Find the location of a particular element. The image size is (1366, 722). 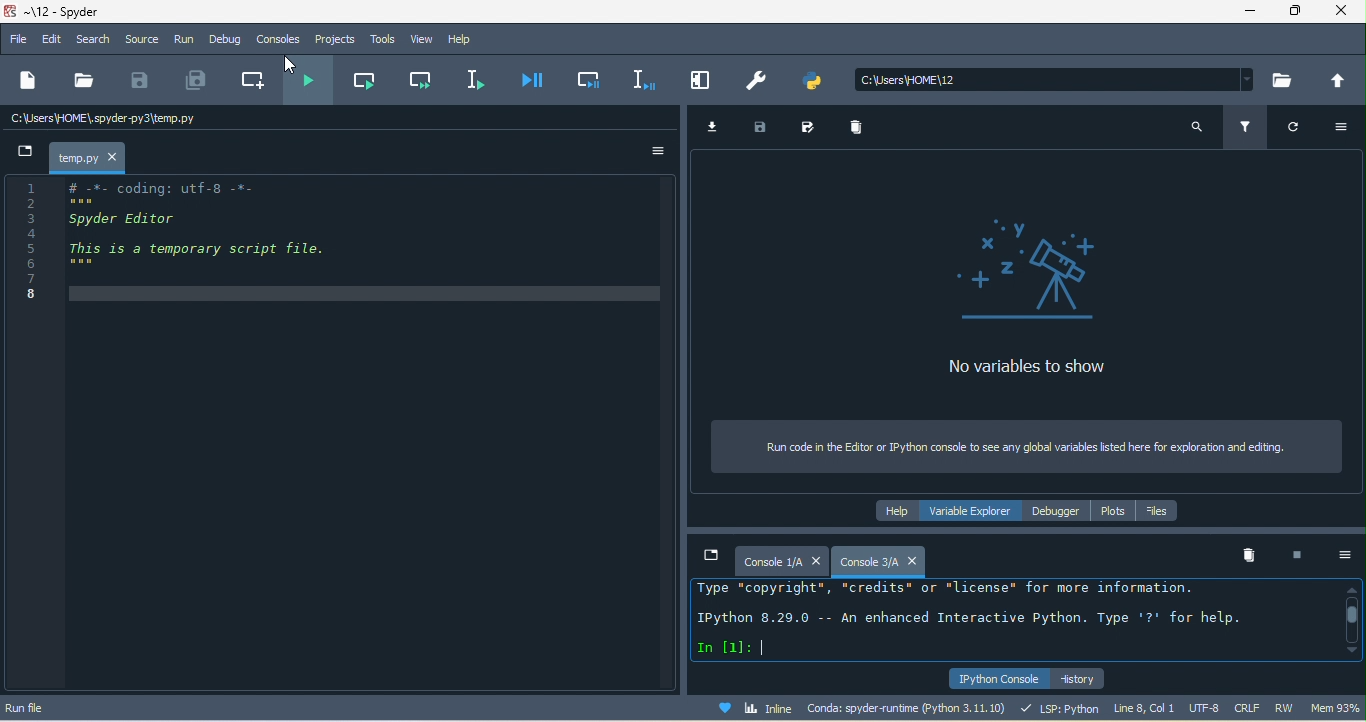

rw is located at coordinates (1282, 707).